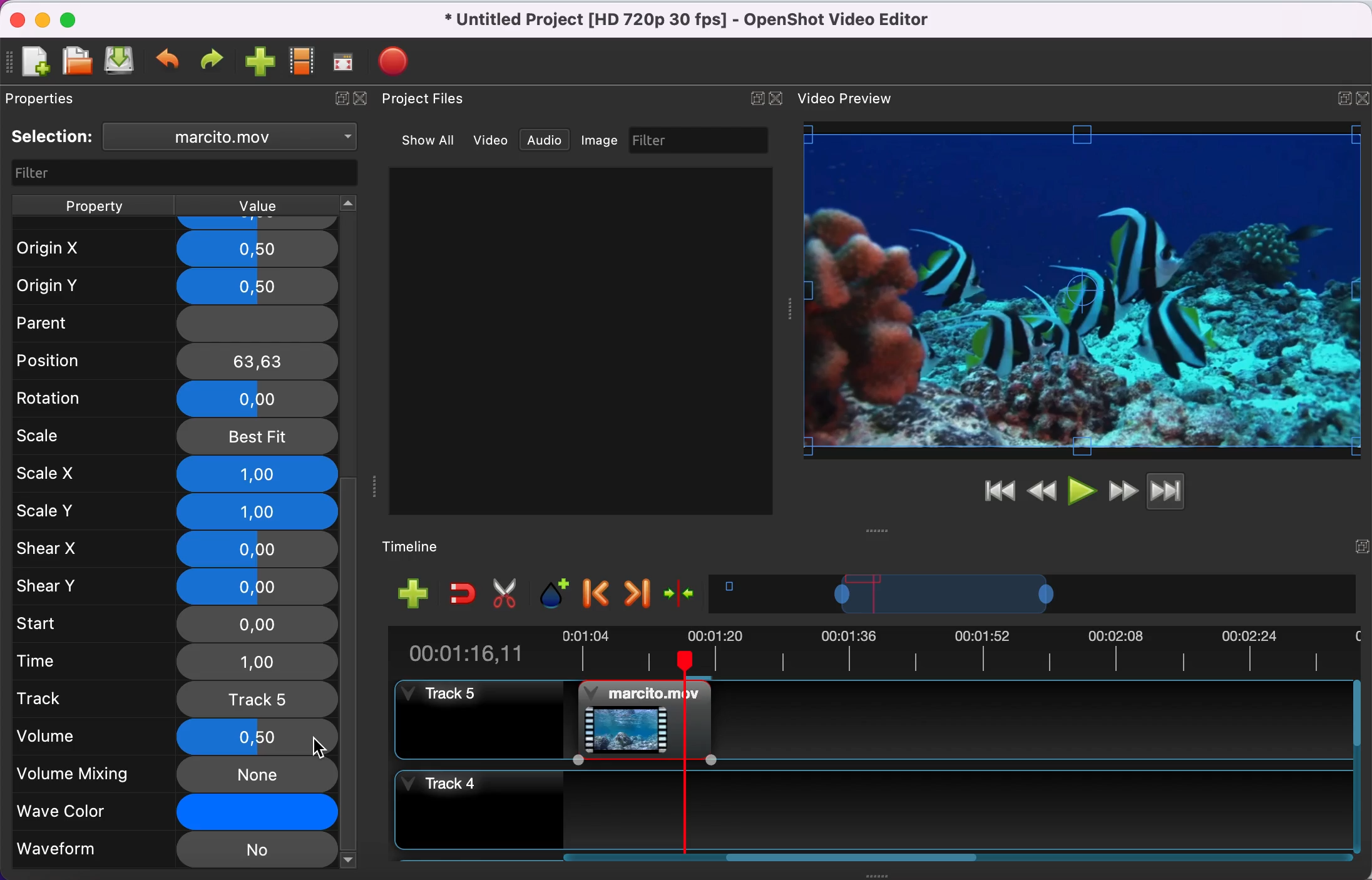  Describe the element at coordinates (177, 436) in the screenshot. I see `scale best fit` at that location.